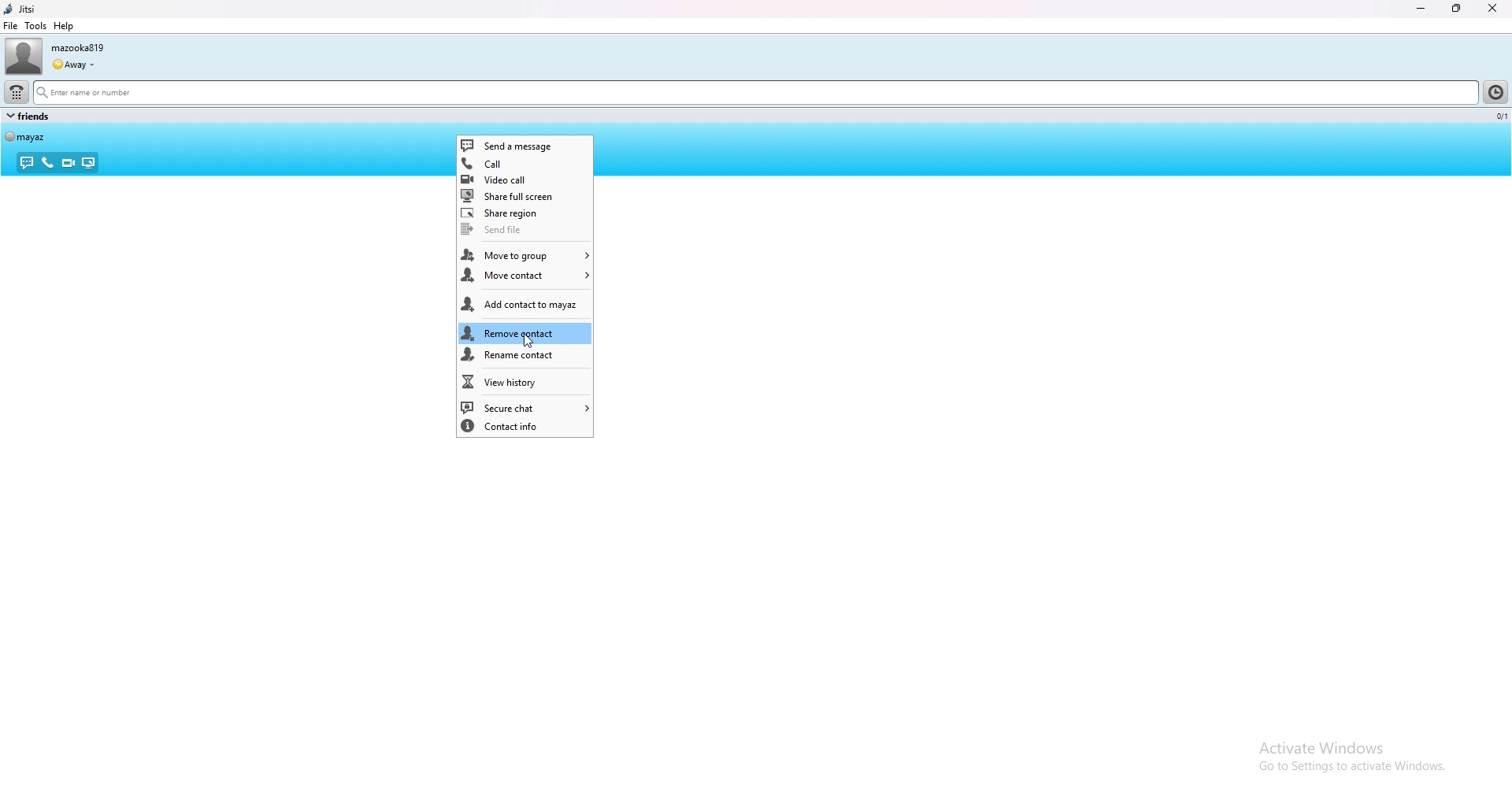  Describe the element at coordinates (524, 334) in the screenshot. I see `remove contact` at that location.